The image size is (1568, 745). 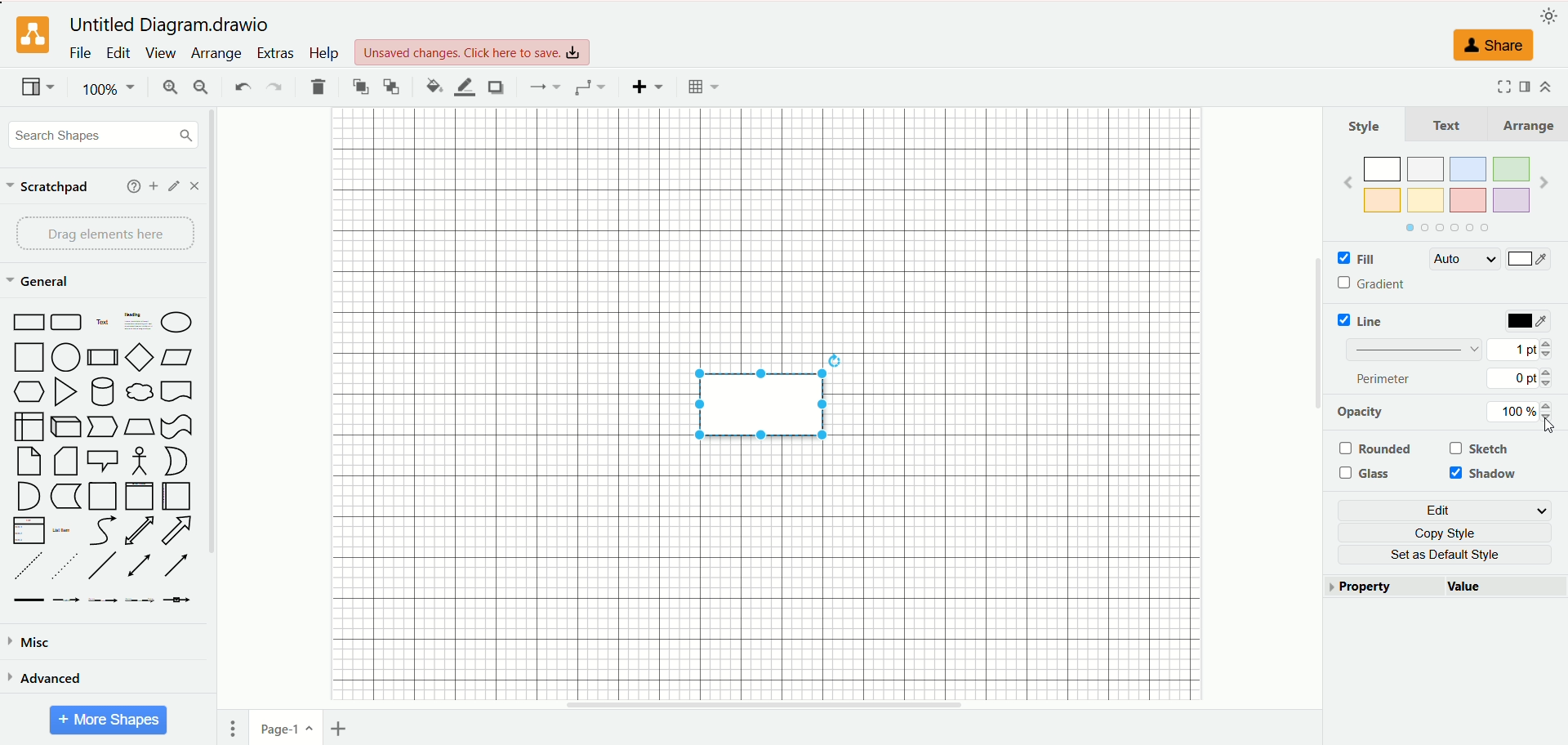 I want to click on logo, so click(x=30, y=36).